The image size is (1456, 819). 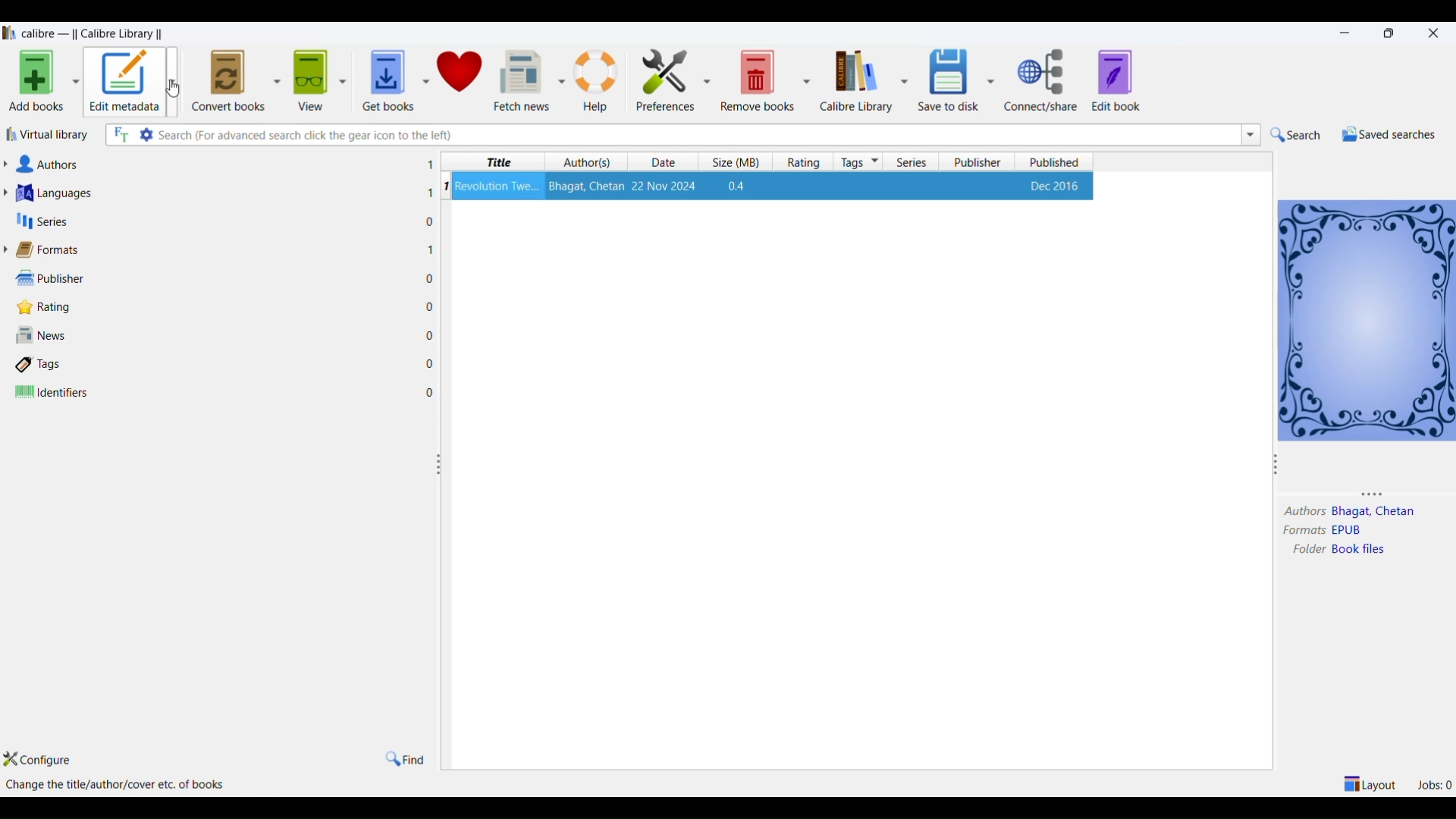 I want to click on Connect/share, so click(x=1043, y=80).